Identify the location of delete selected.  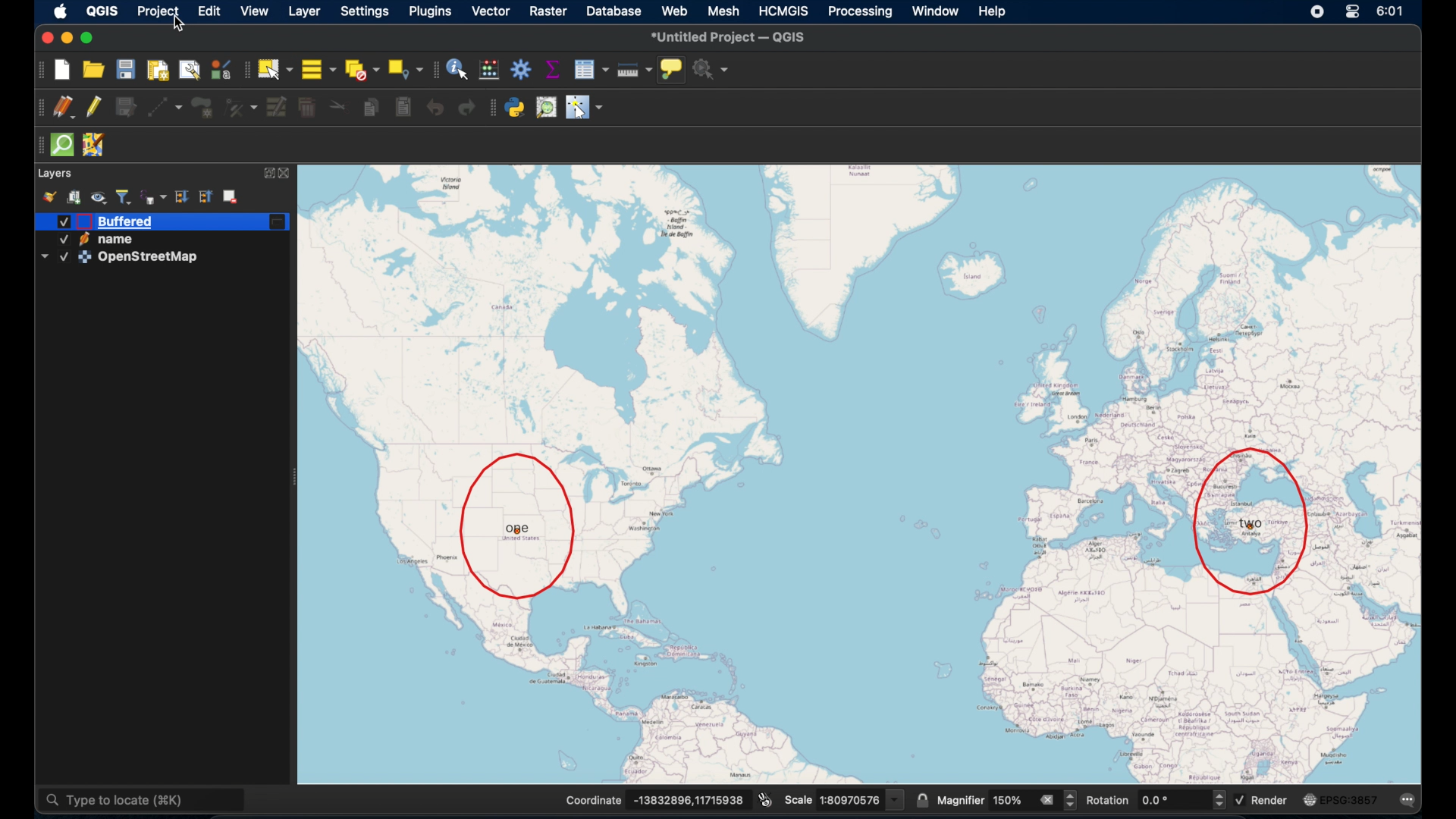
(309, 106).